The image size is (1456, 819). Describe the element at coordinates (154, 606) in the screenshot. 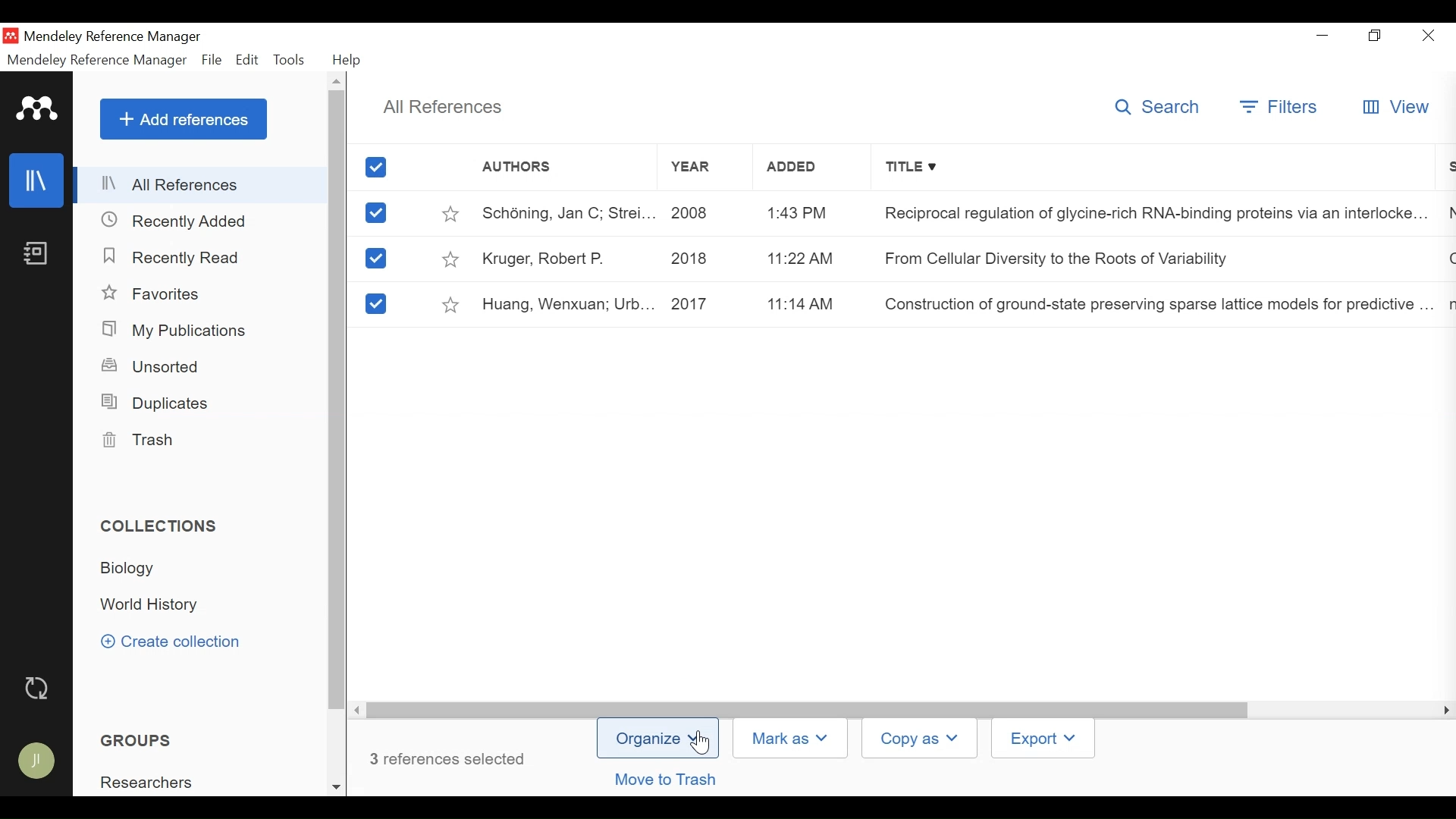

I see `Collection` at that location.